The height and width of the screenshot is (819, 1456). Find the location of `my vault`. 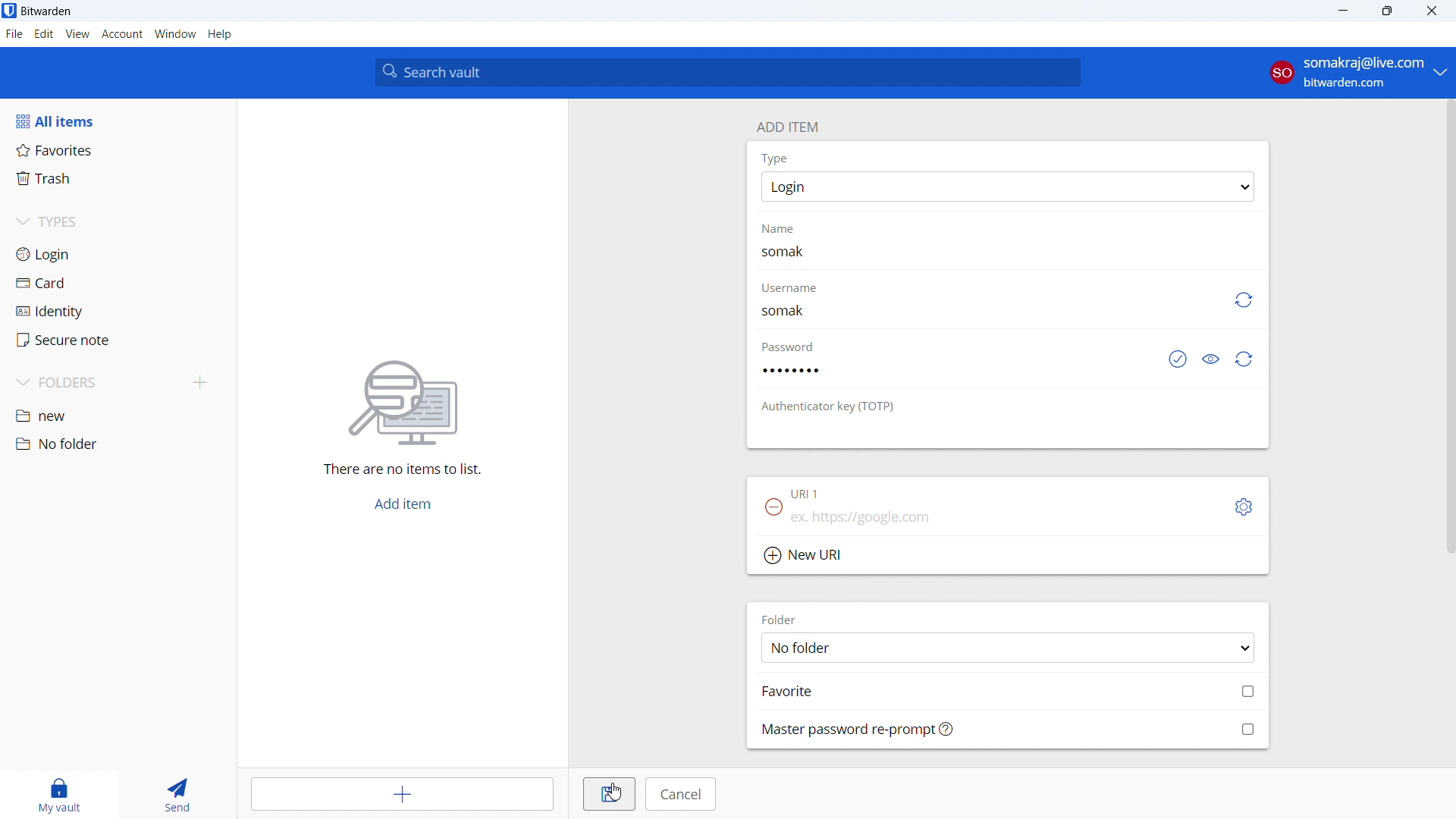

my vault is located at coordinates (55, 795).